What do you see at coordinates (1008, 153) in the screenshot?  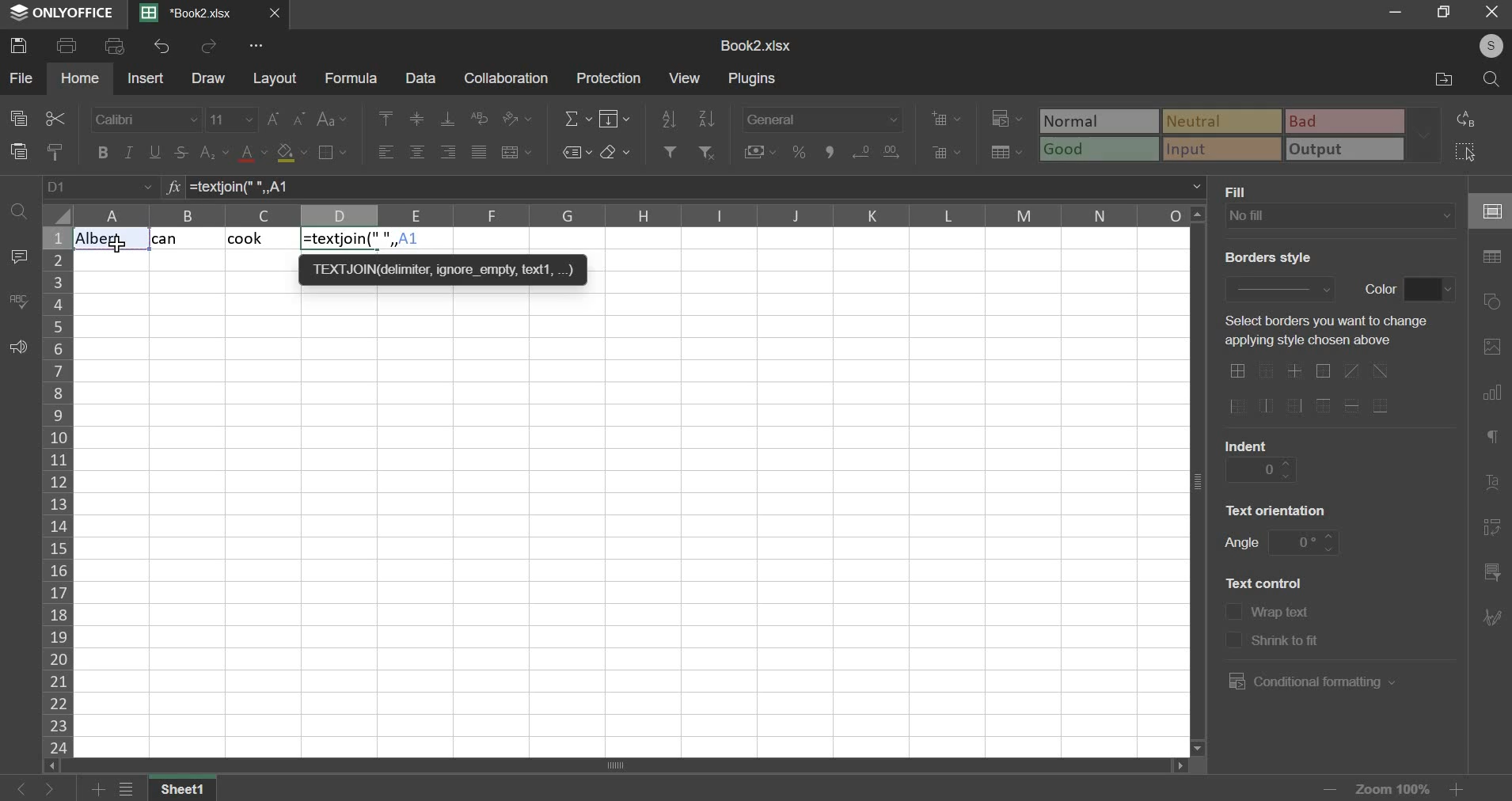 I see `save as table` at bounding box center [1008, 153].